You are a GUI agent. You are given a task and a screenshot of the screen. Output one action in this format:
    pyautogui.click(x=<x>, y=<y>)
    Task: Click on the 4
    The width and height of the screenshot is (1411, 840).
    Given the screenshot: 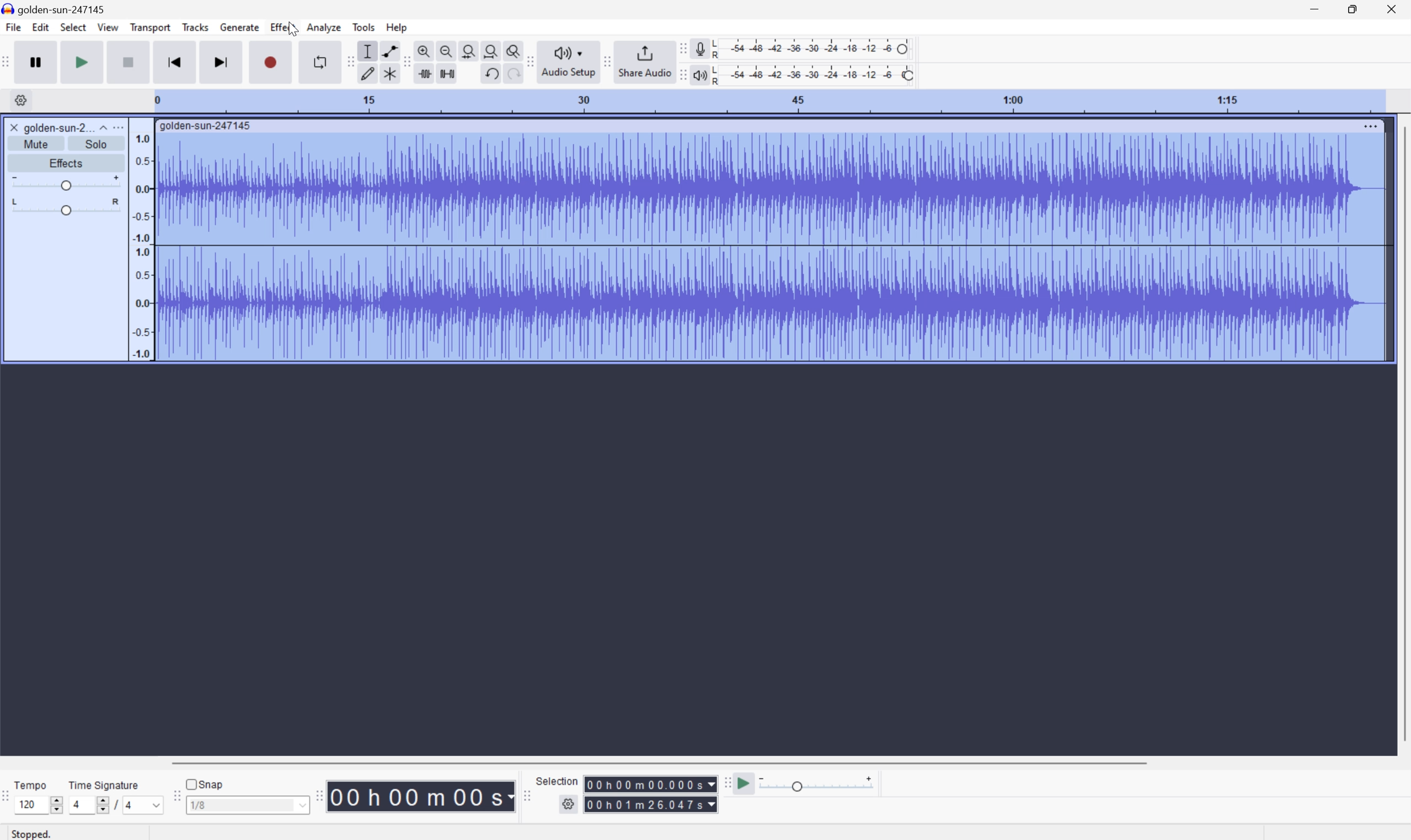 What is the action you would take?
    pyautogui.click(x=145, y=805)
    